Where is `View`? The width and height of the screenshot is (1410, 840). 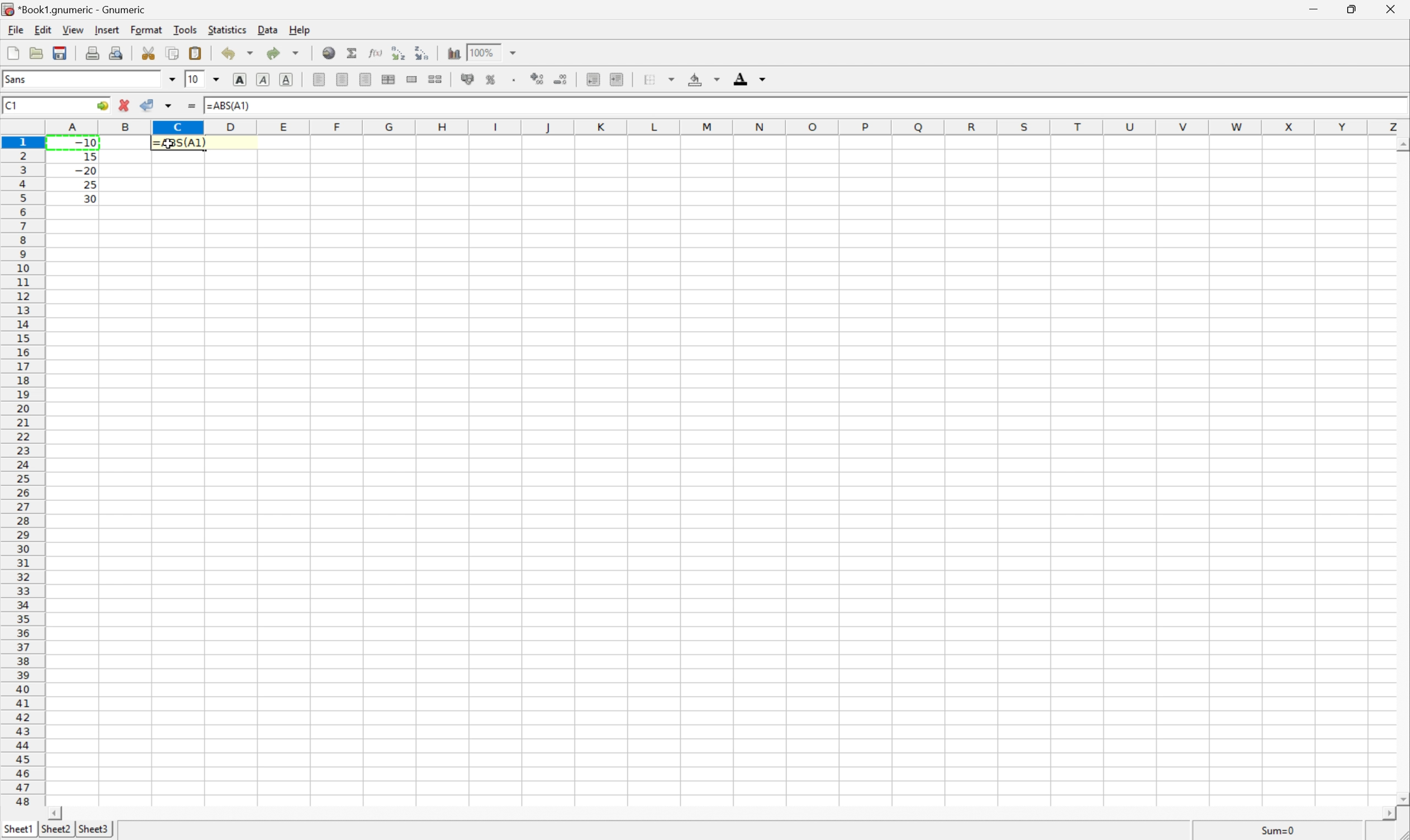
View is located at coordinates (73, 30).